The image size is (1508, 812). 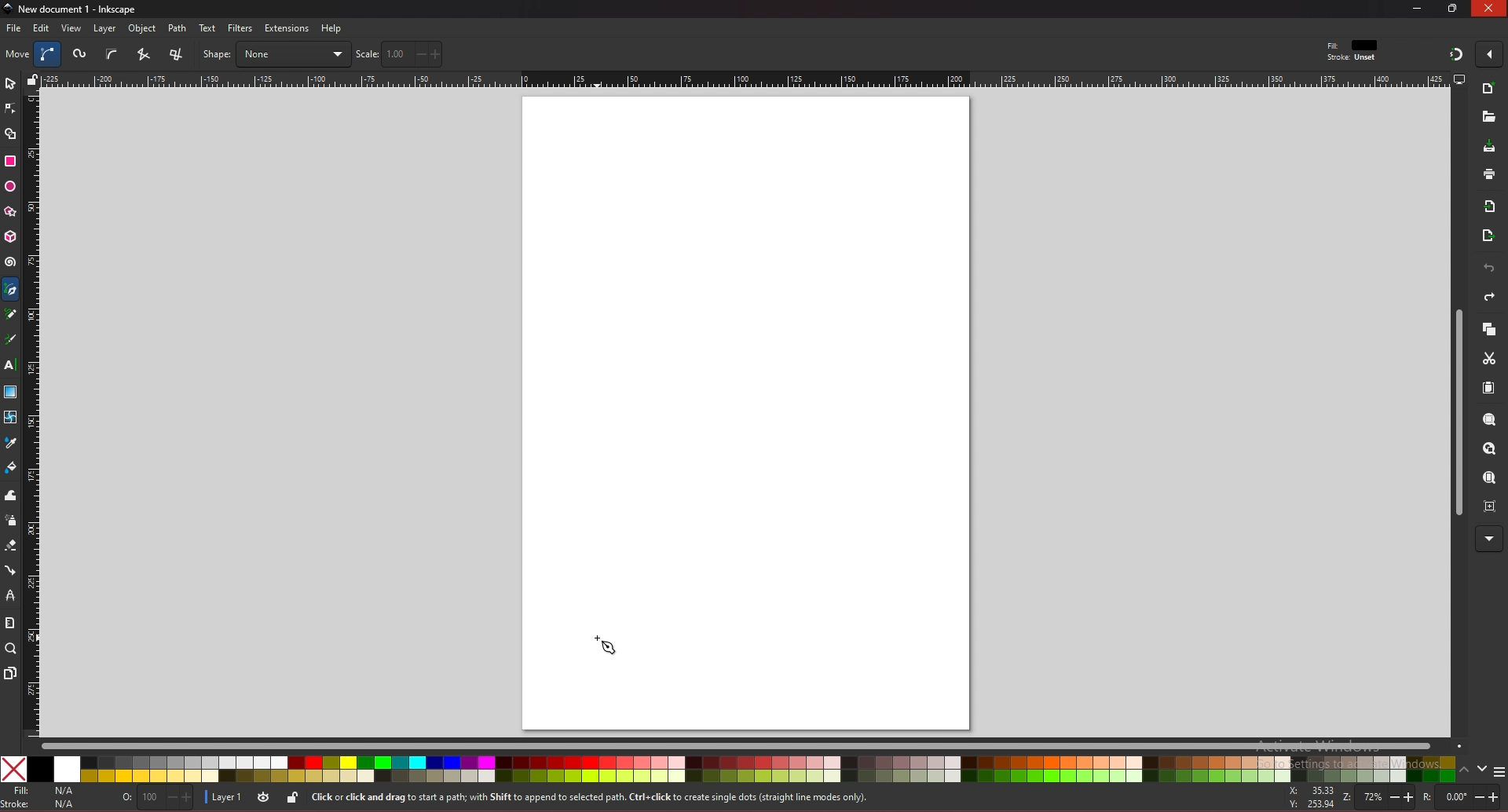 What do you see at coordinates (292, 797) in the screenshot?
I see `lock` at bounding box center [292, 797].